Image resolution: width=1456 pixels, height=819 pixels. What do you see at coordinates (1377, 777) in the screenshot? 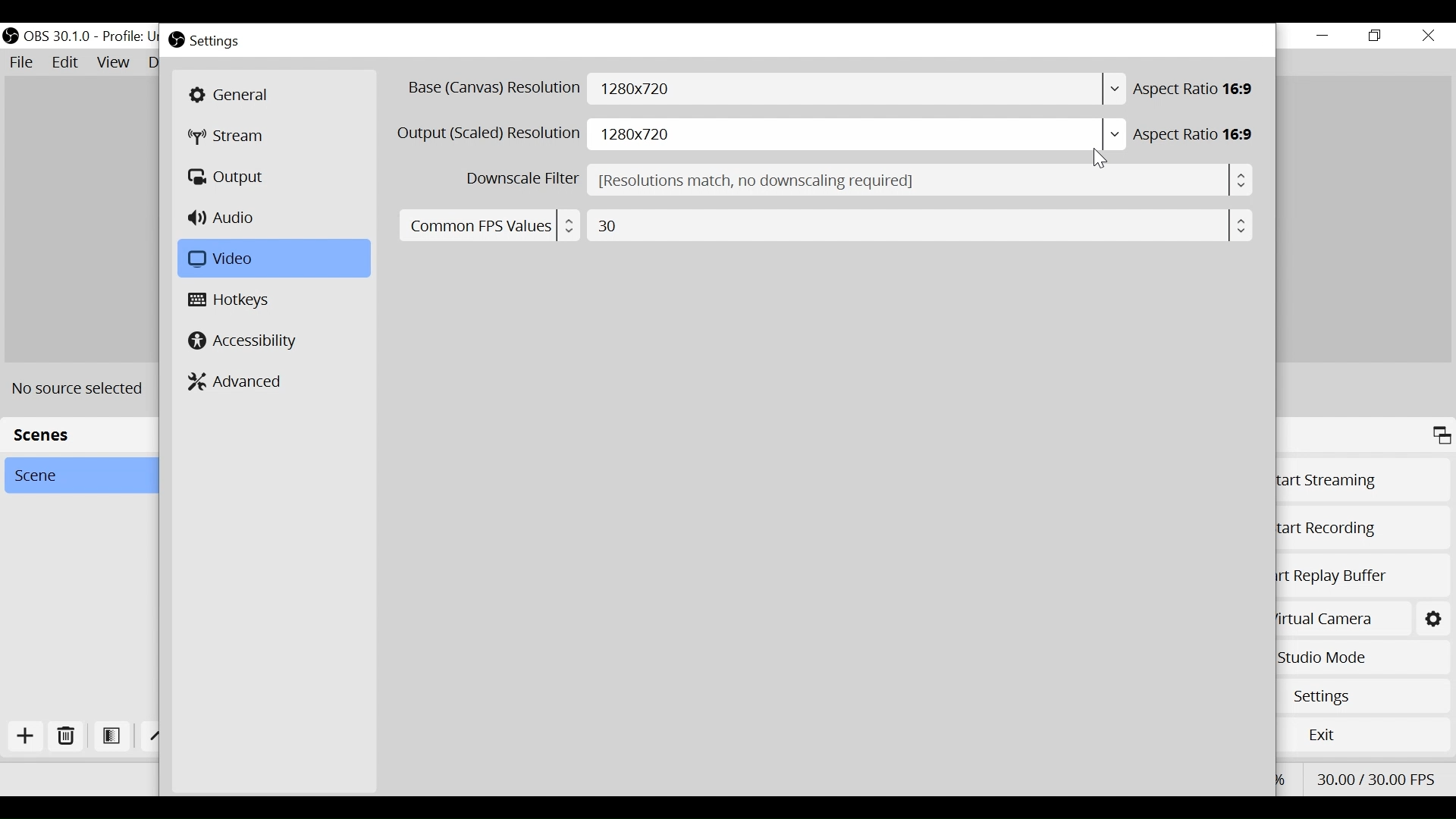
I see `FPS` at bounding box center [1377, 777].